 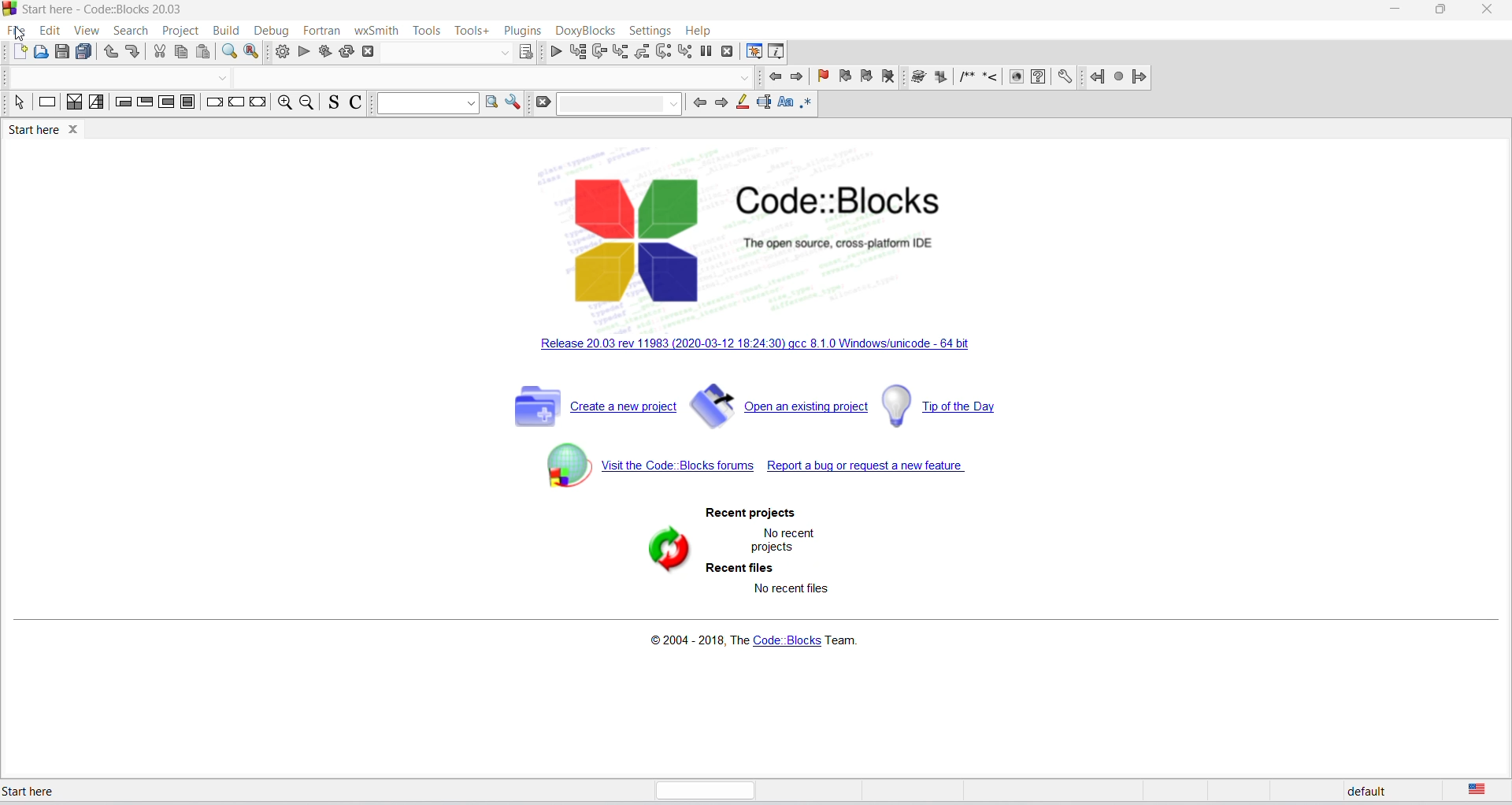 What do you see at coordinates (31, 792) in the screenshot?
I see `start here ` at bounding box center [31, 792].